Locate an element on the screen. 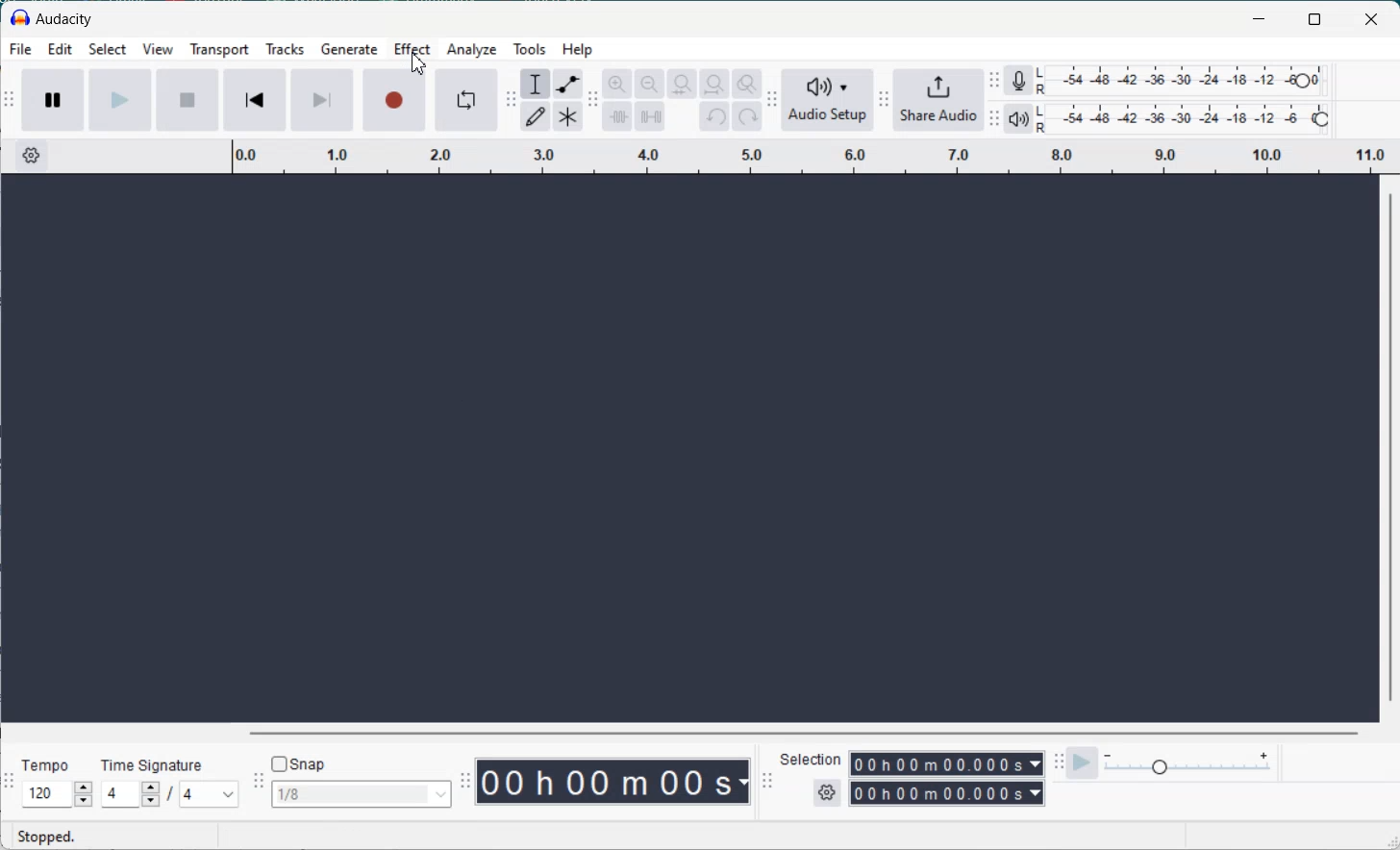 The width and height of the screenshot is (1400, 850). Analyze is located at coordinates (470, 50).